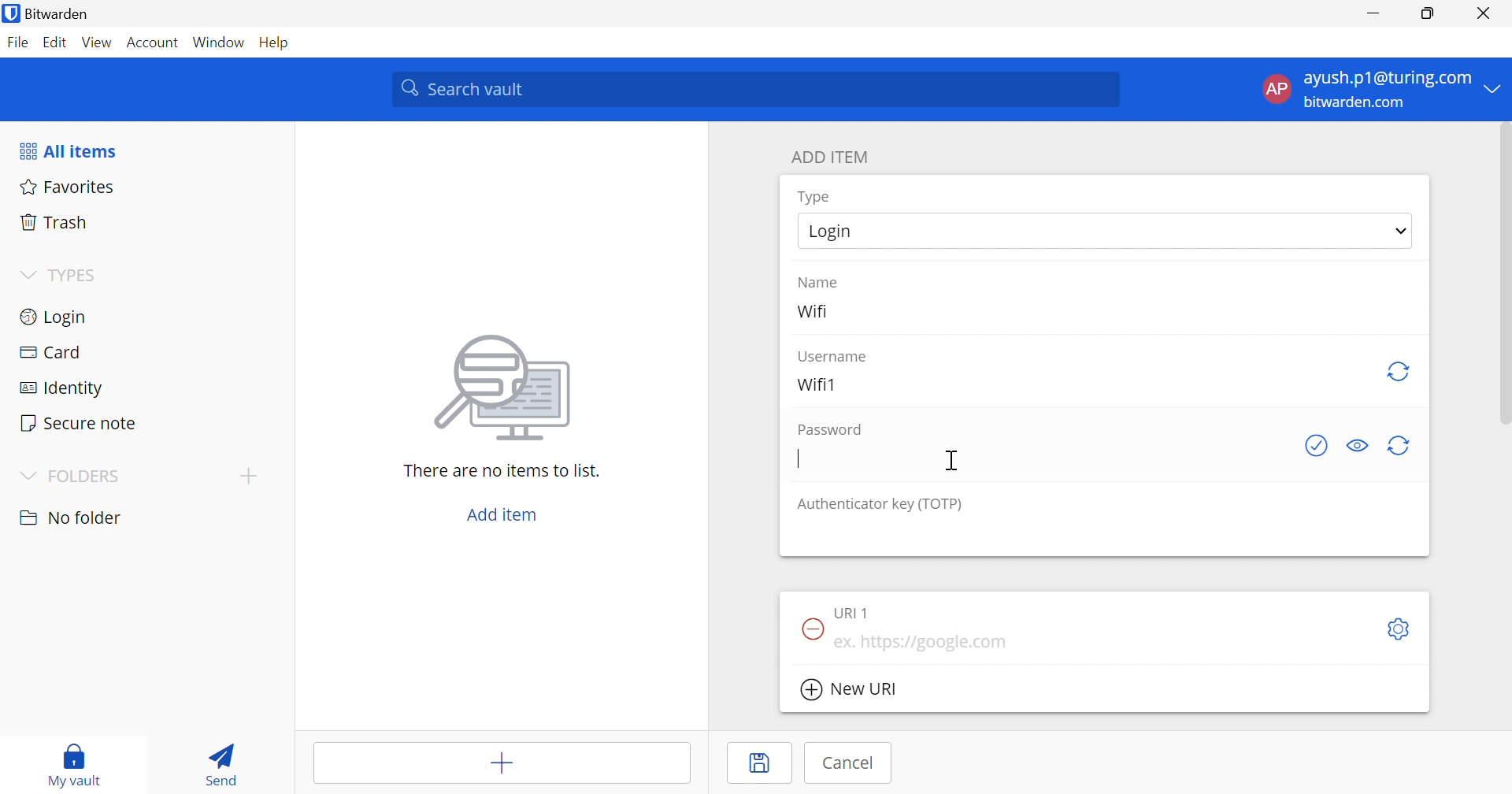  Describe the element at coordinates (1429, 13) in the screenshot. I see `Restore Down` at that location.